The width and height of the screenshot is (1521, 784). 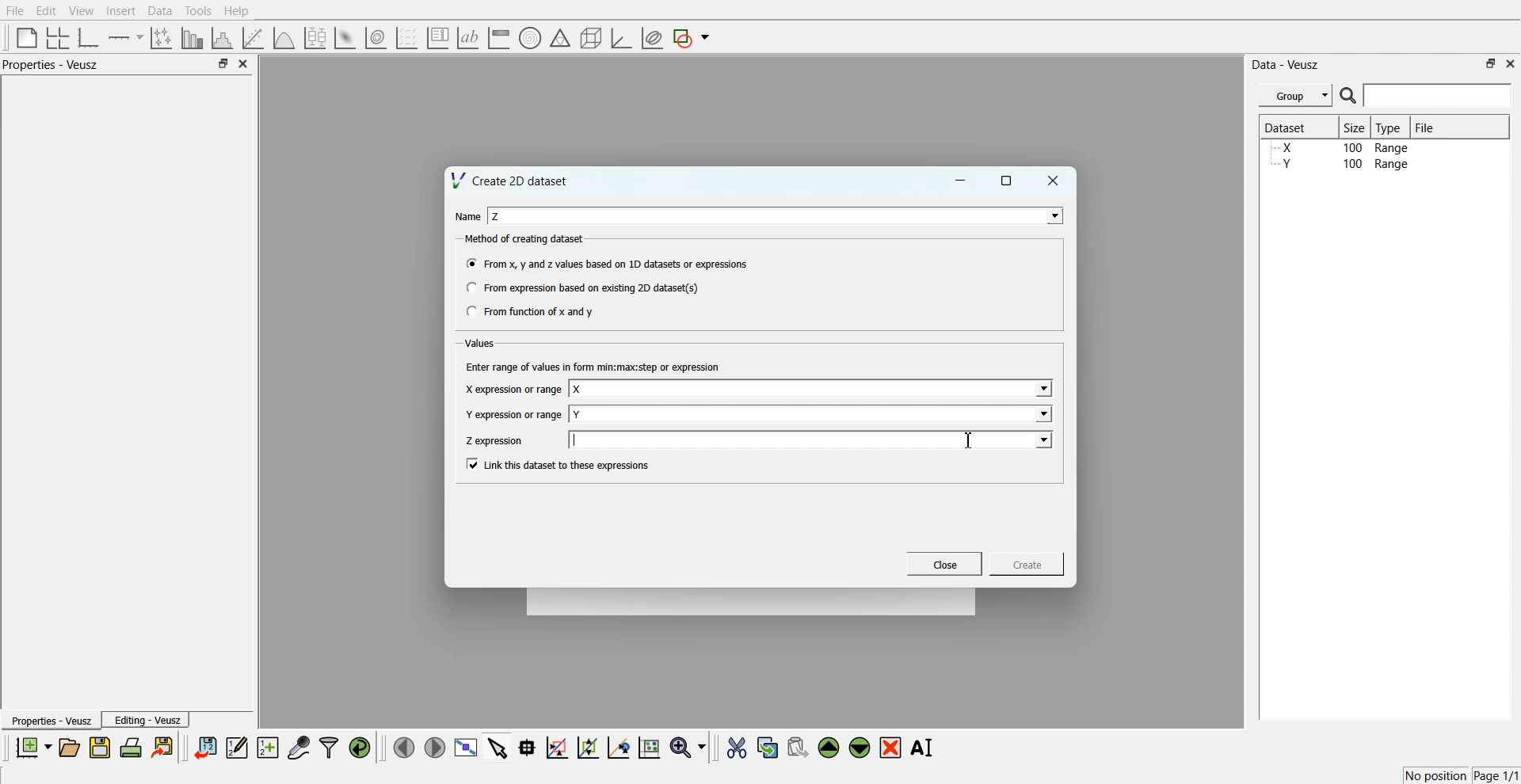 I want to click on Maximize, so click(x=1491, y=63).